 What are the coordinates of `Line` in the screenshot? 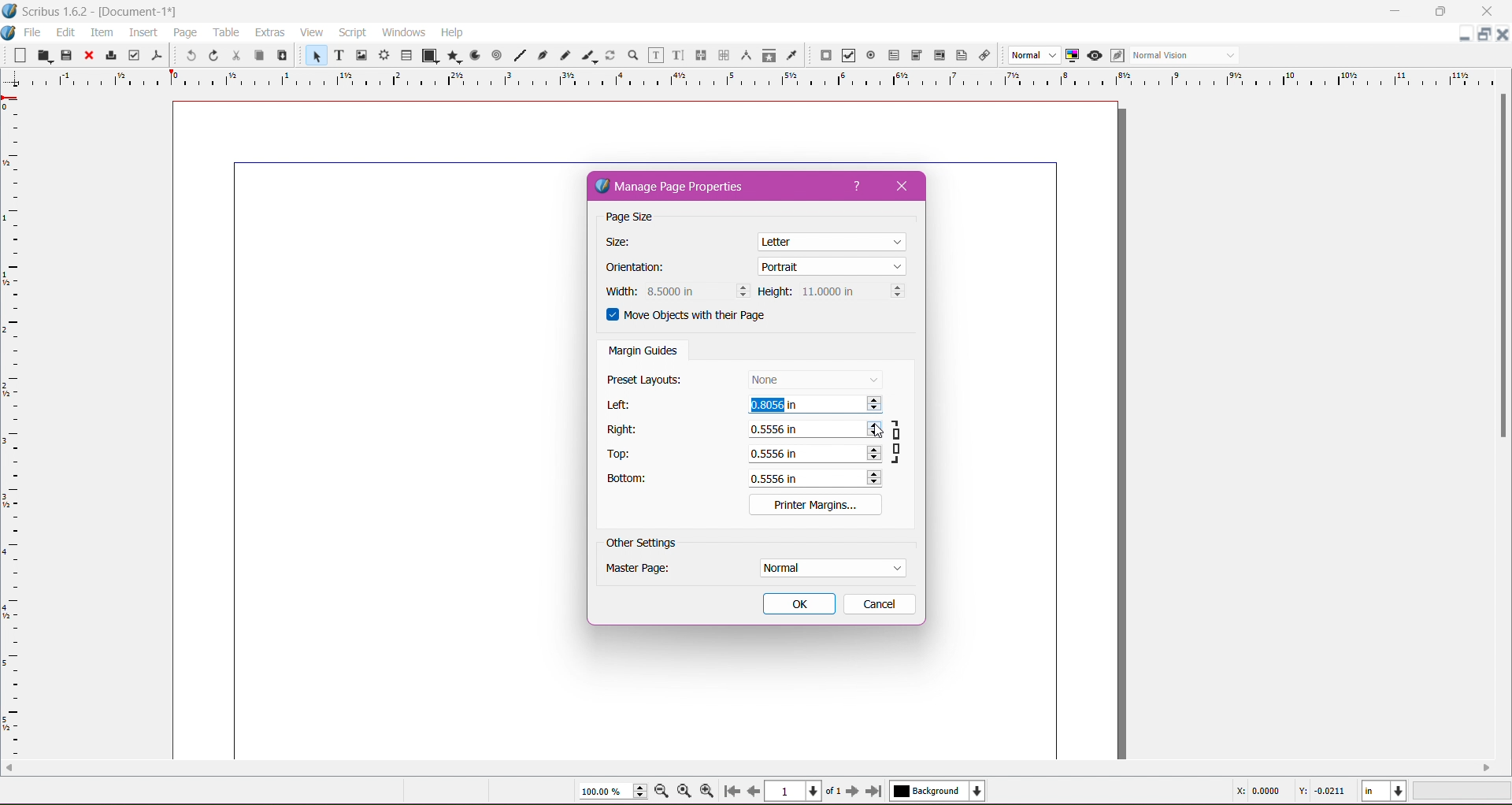 It's located at (520, 54).